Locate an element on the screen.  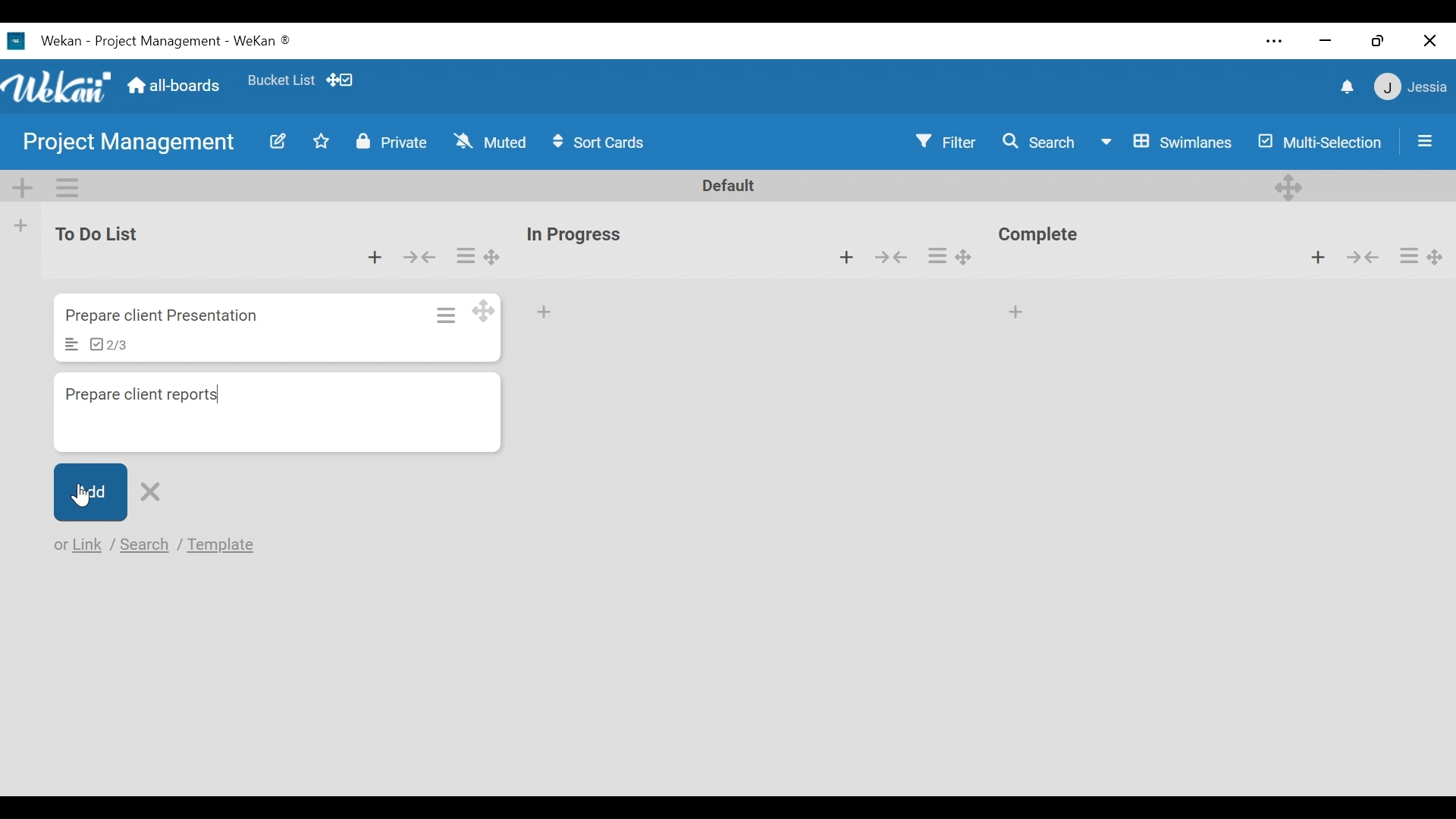
Card actions is located at coordinates (938, 256).